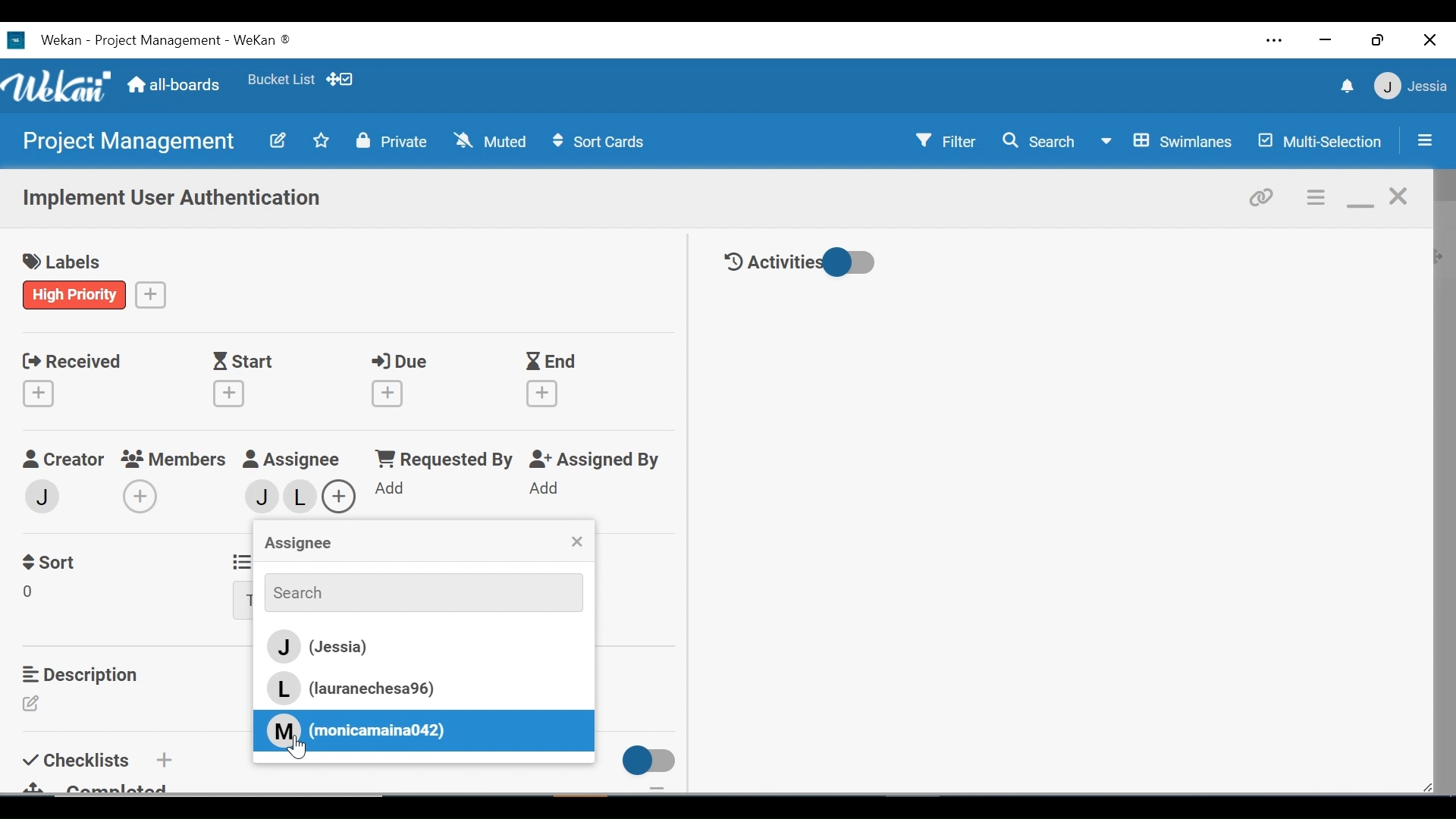  What do you see at coordinates (1400, 197) in the screenshot?
I see `close` at bounding box center [1400, 197].